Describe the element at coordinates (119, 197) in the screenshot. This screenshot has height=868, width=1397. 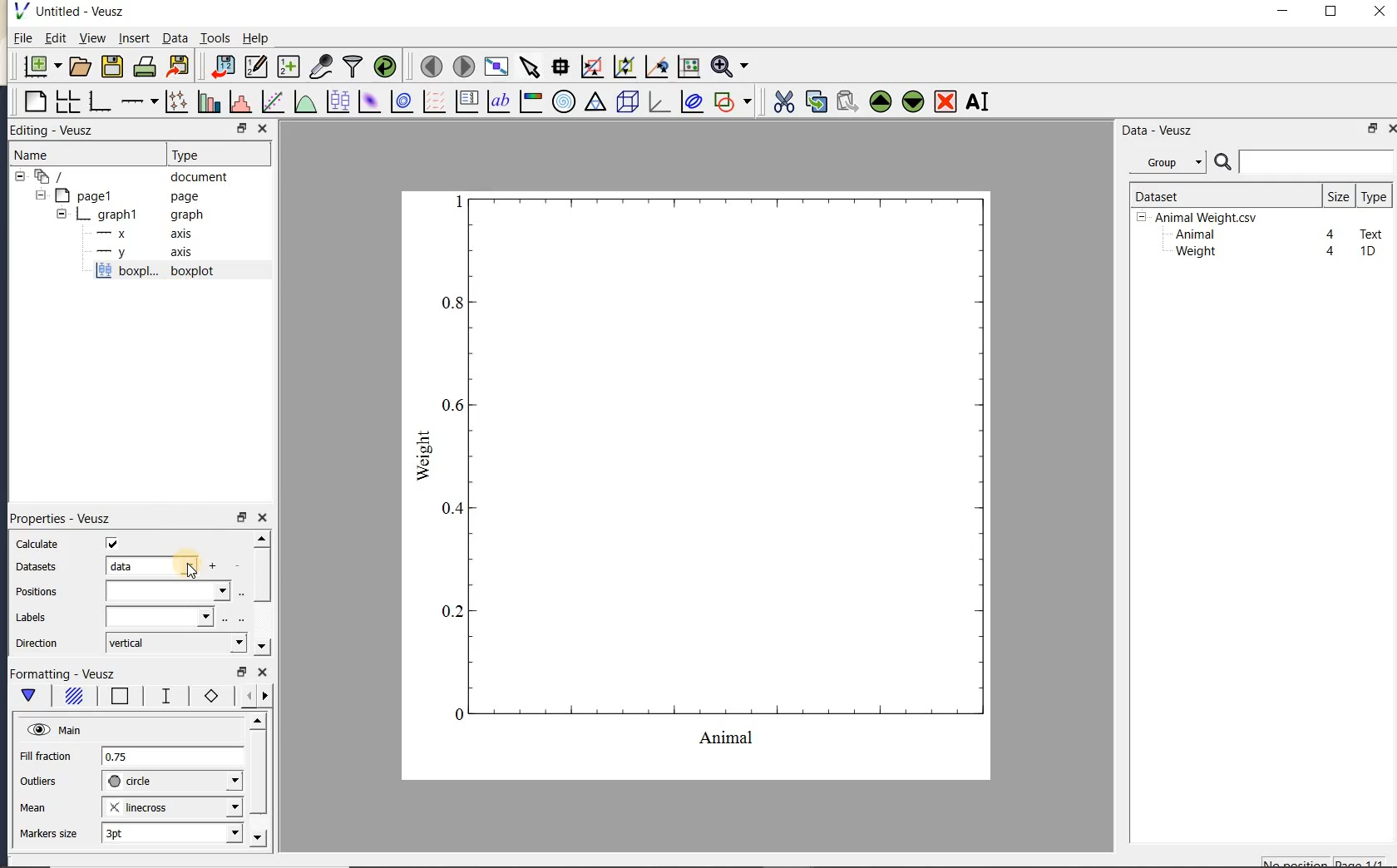
I see `page1` at that location.